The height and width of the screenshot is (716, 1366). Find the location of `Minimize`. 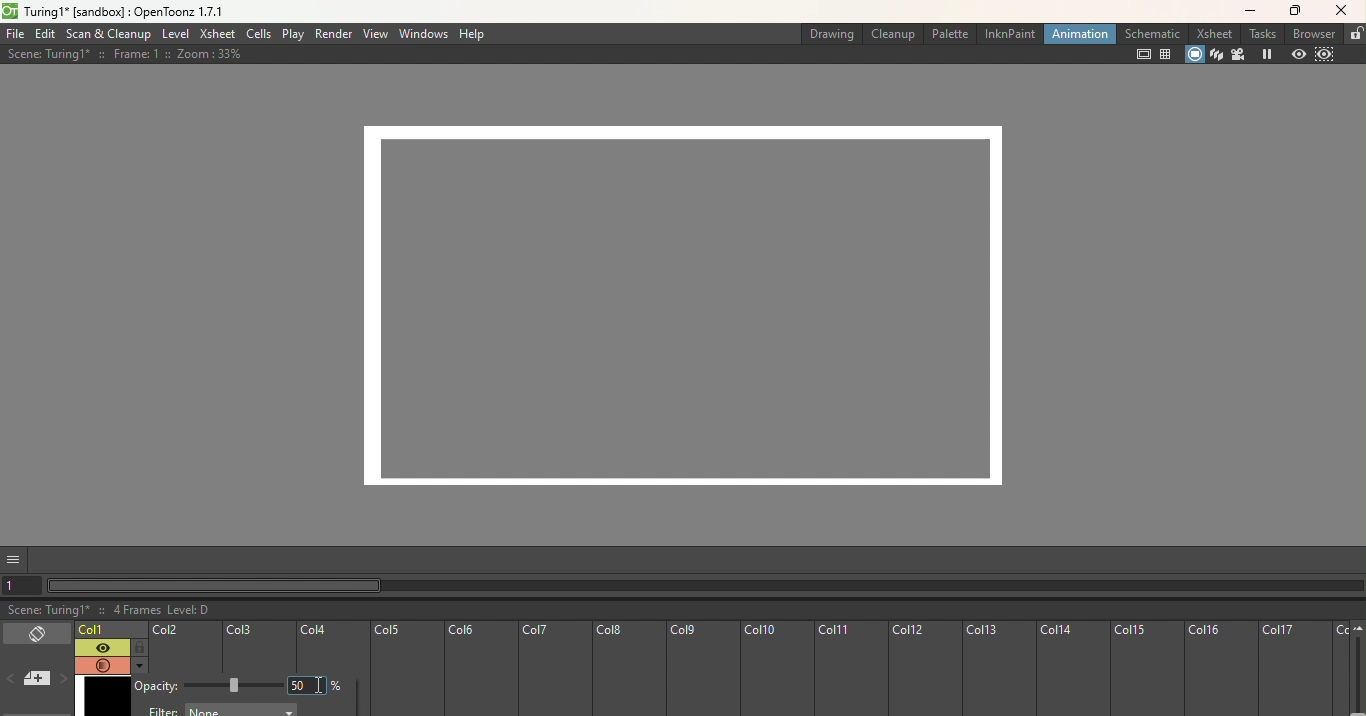

Minimize is located at coordinates (1246, 14).